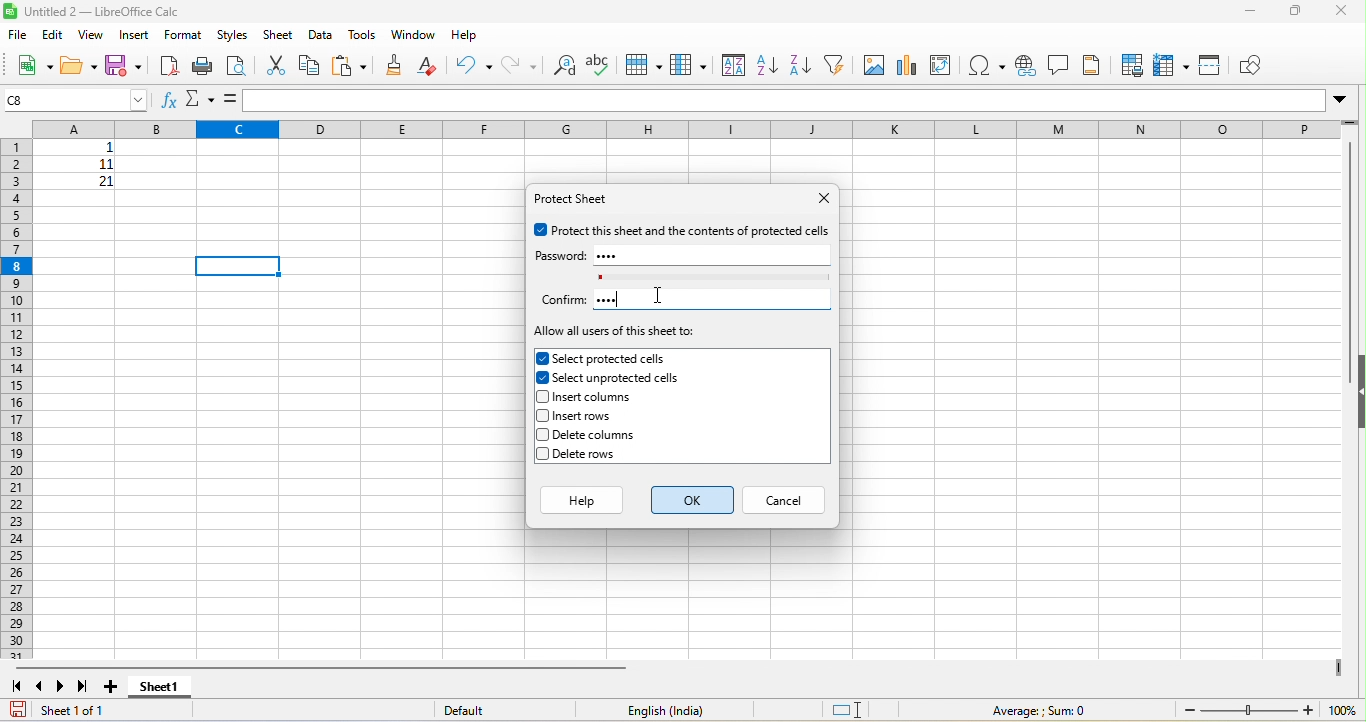 Image resolution: width=1366 pixels, height=722 pixels. I want to click on sheet1, so click(180, 687).